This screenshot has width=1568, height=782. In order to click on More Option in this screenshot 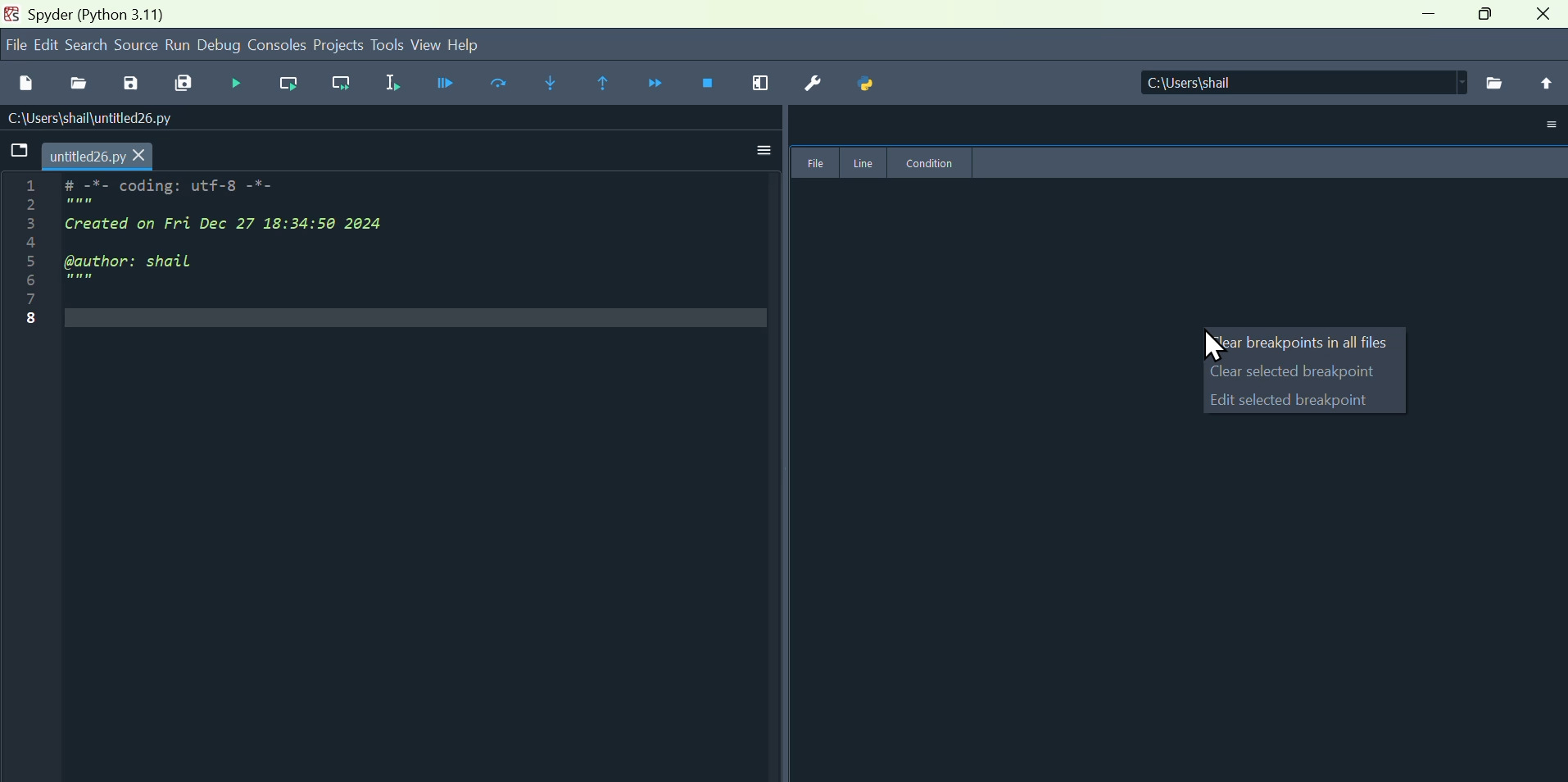, I will do `click(1549, 125)`.